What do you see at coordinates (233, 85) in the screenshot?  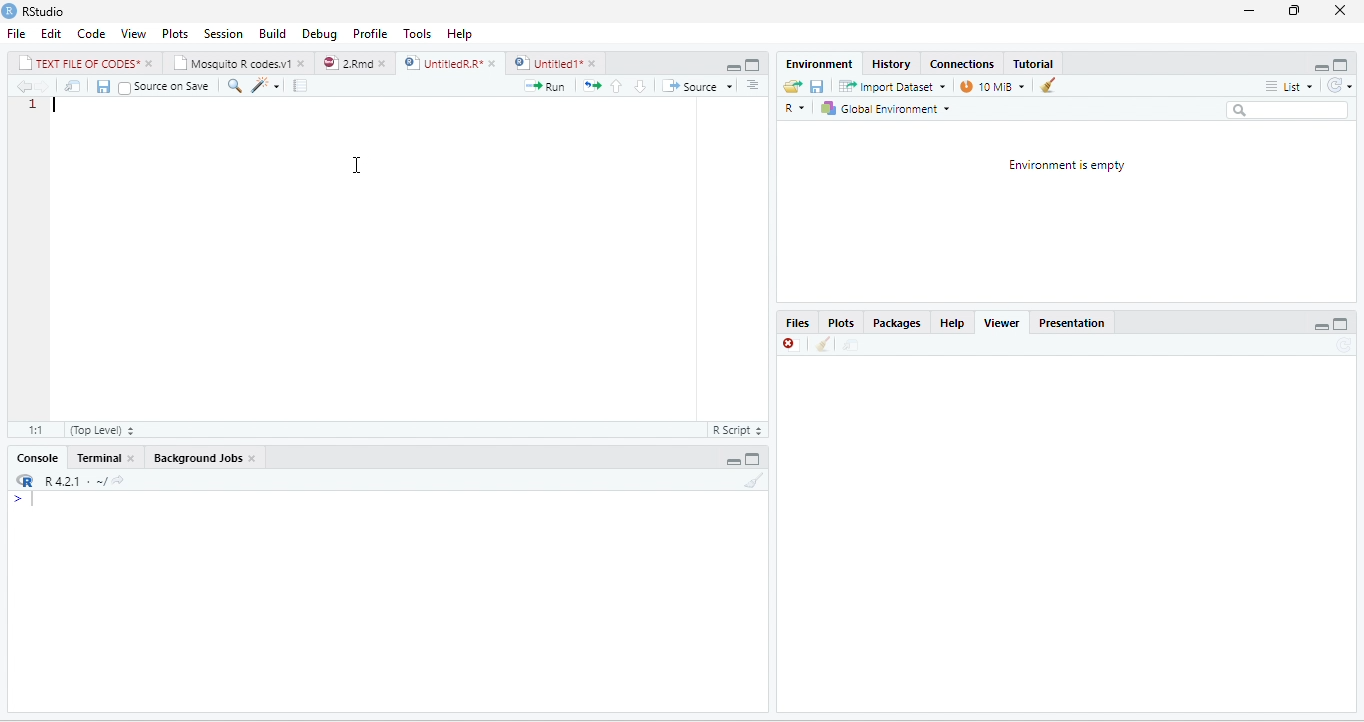 I see `find/replace` at bounding box center [233, 85].